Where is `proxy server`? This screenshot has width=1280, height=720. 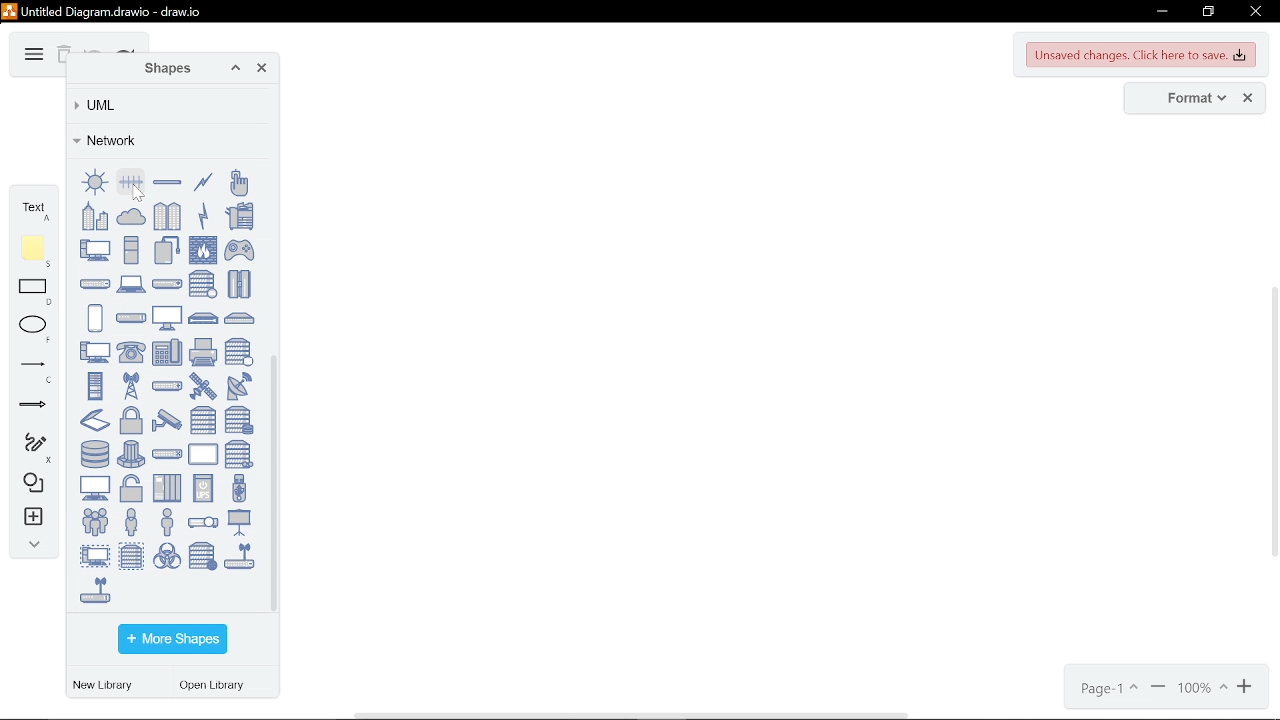 proxy server is located at coordinates (239, 352).